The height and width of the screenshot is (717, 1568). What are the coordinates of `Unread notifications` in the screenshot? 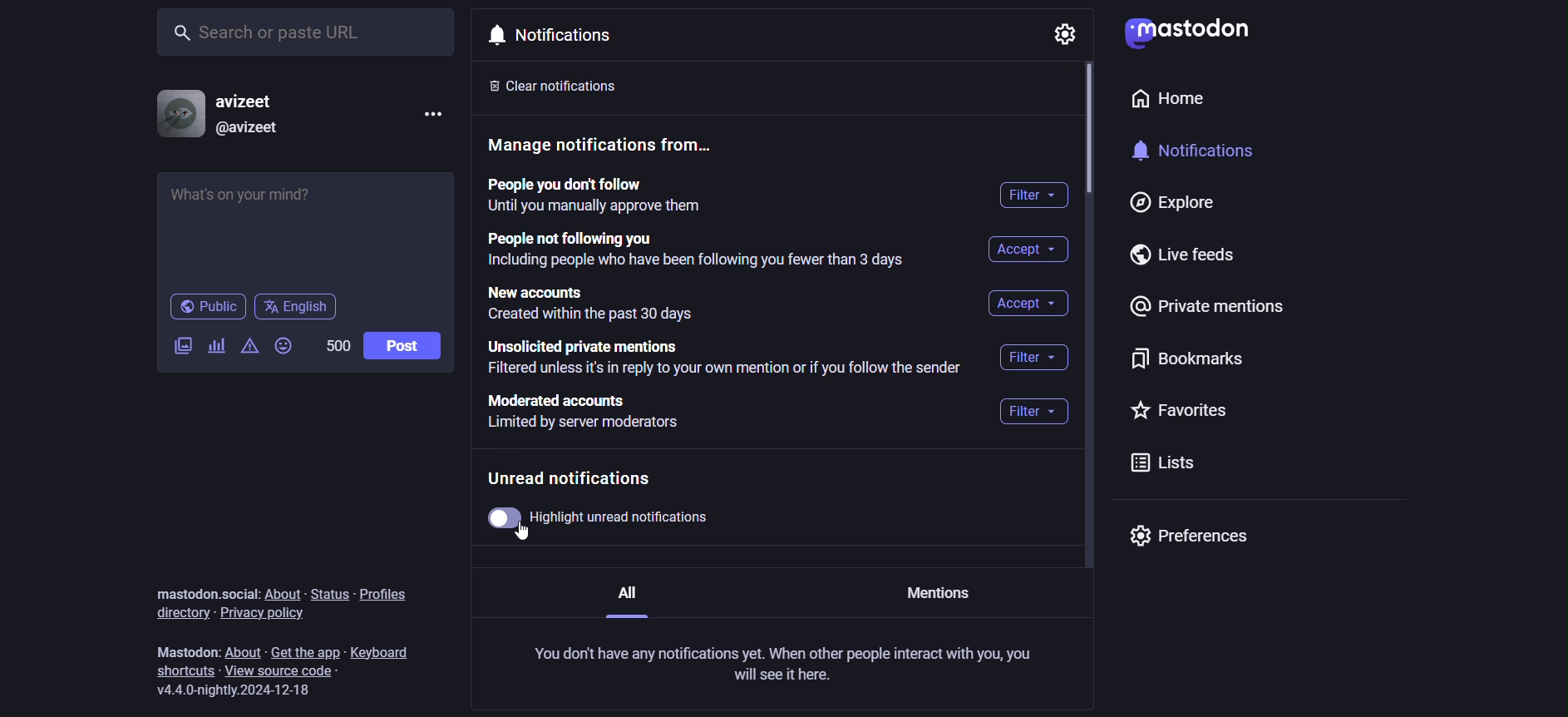 It's located at (573, 481).